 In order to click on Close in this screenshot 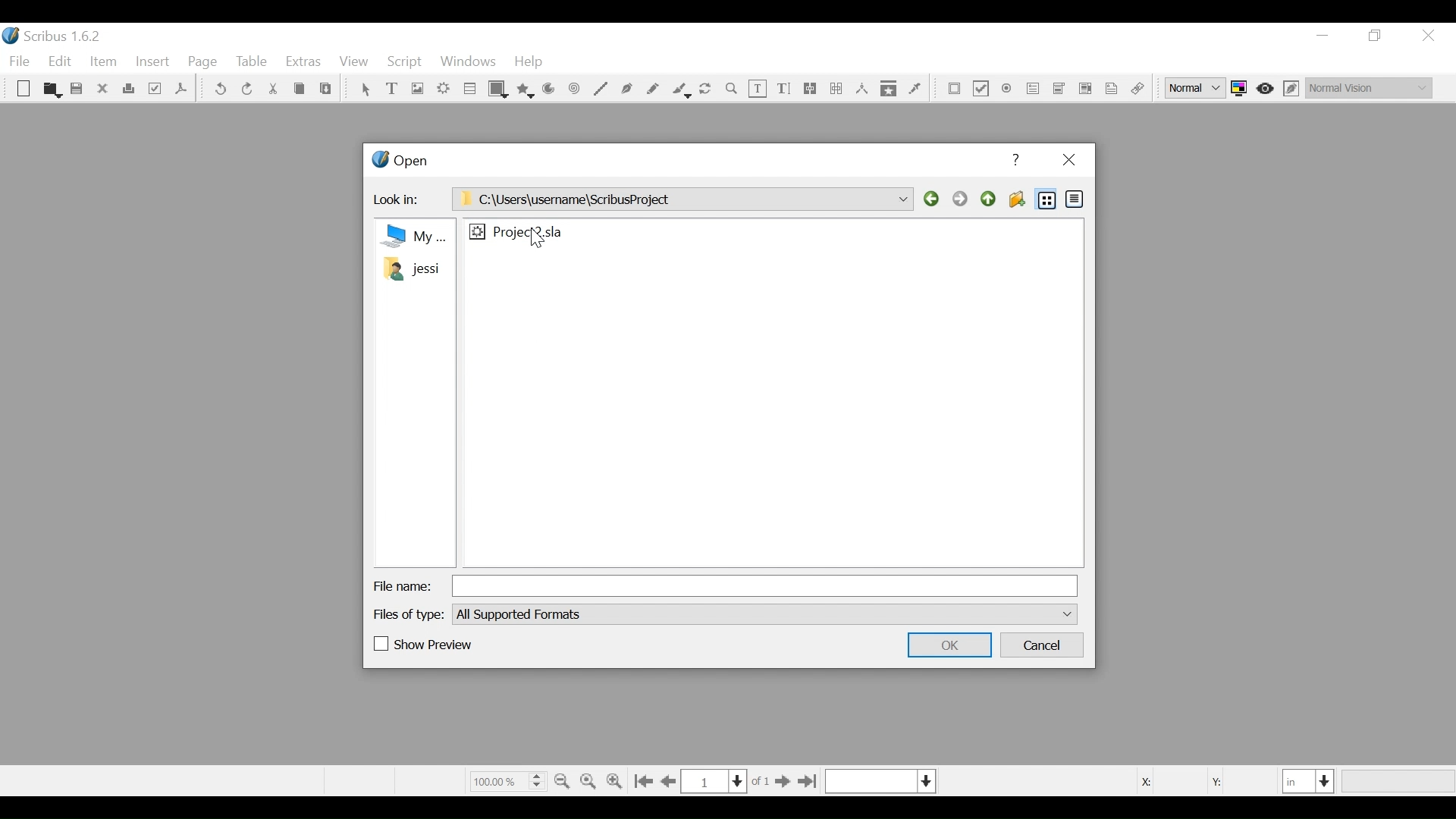, I will do `click(1068, 161)`.